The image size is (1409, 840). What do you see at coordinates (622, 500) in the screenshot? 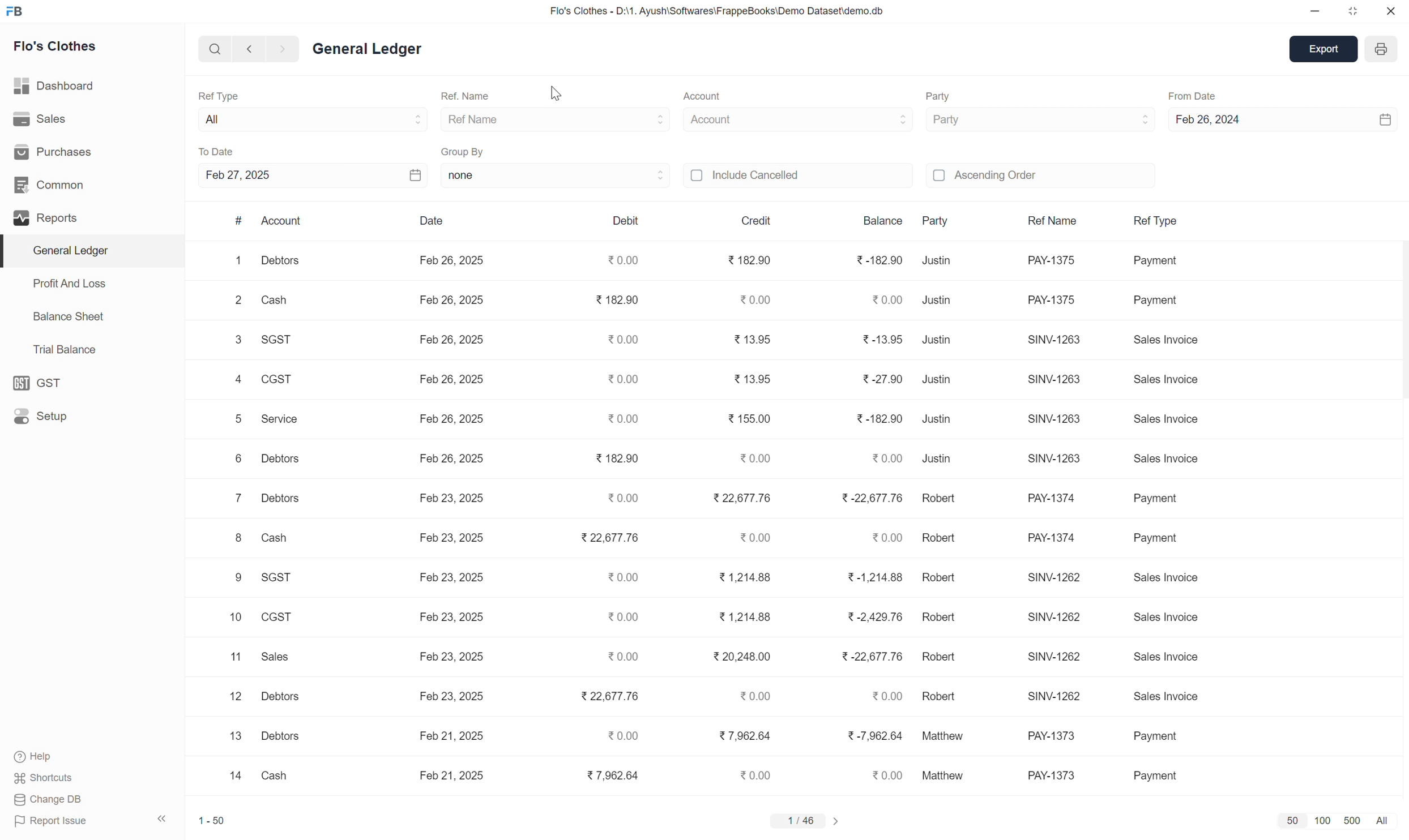
I see `0.00` at bounding box center [622, 500].